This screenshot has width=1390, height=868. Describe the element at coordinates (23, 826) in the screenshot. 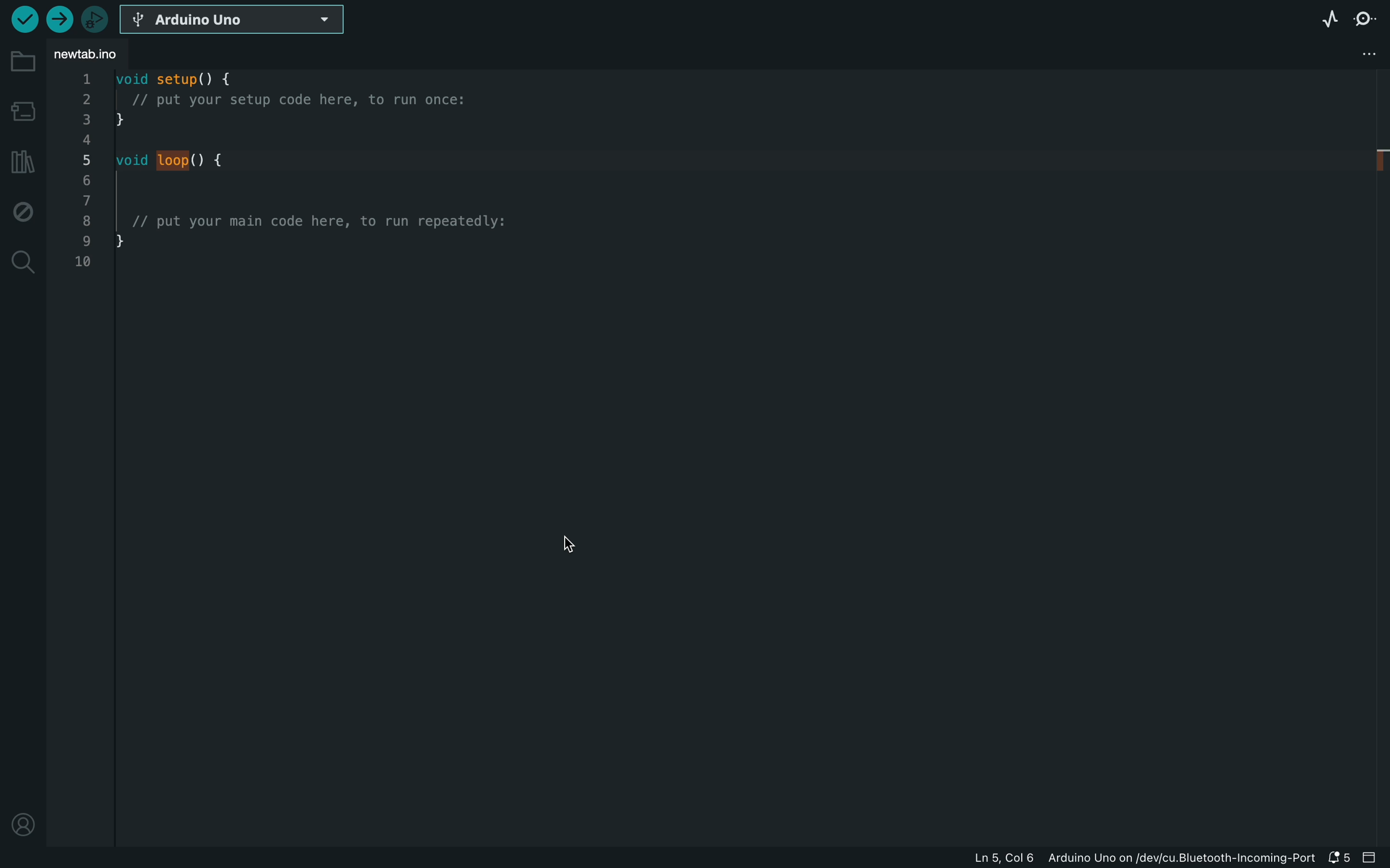

I see `profile` at that location.